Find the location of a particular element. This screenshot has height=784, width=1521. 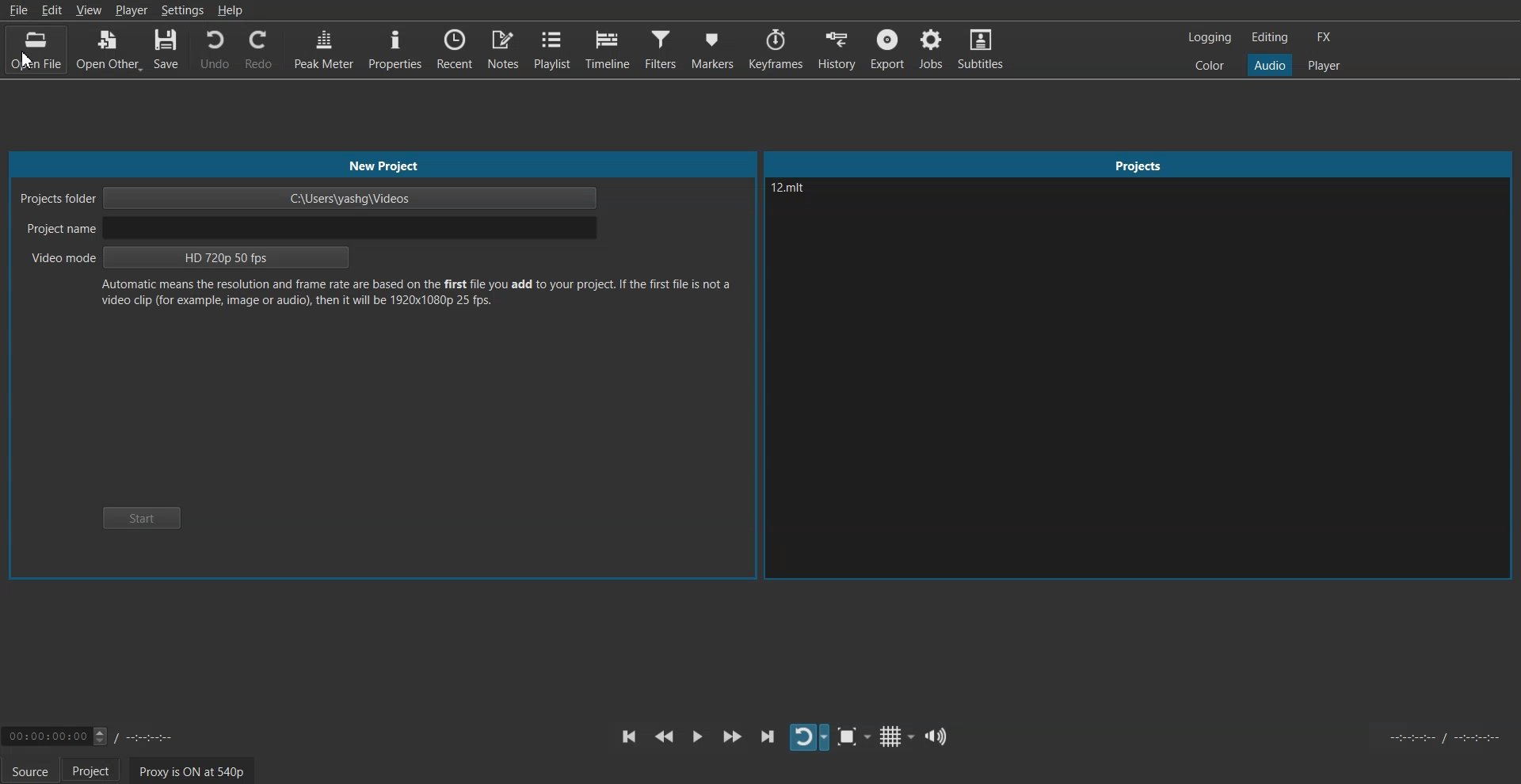

Markers is located at coordinates (712, 48).